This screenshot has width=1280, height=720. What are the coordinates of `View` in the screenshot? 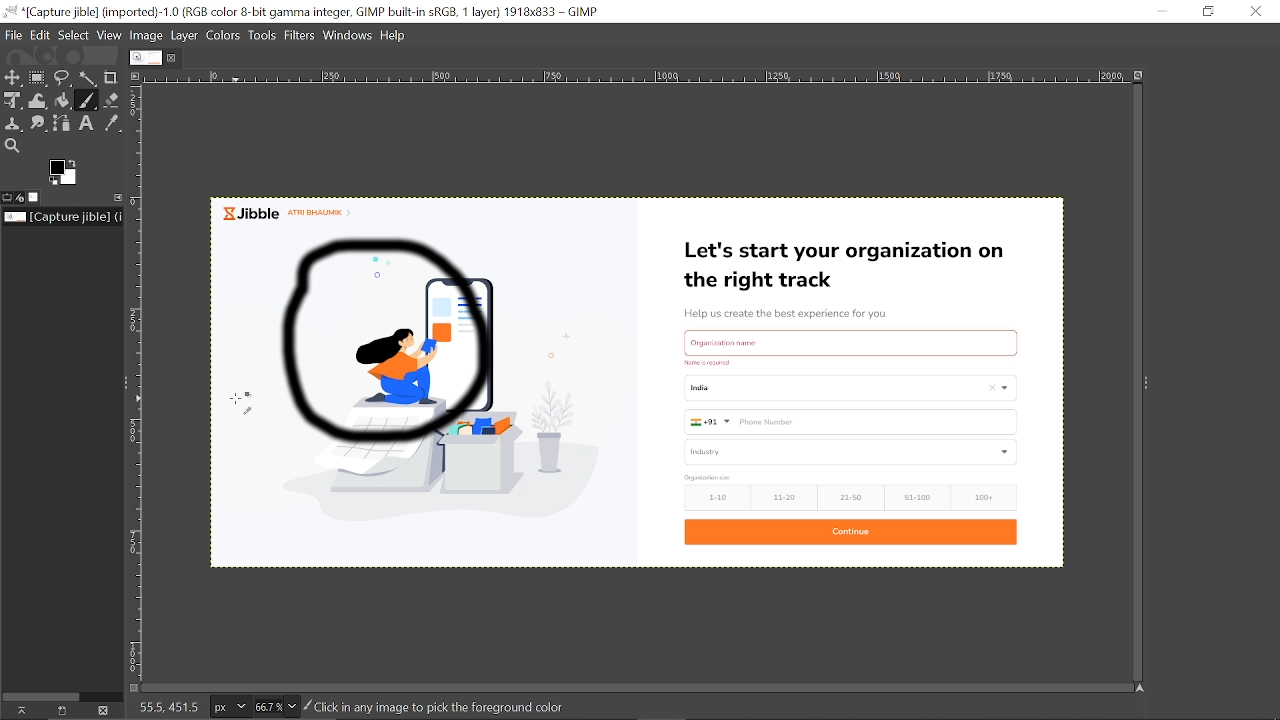 It's located at (109, 36).